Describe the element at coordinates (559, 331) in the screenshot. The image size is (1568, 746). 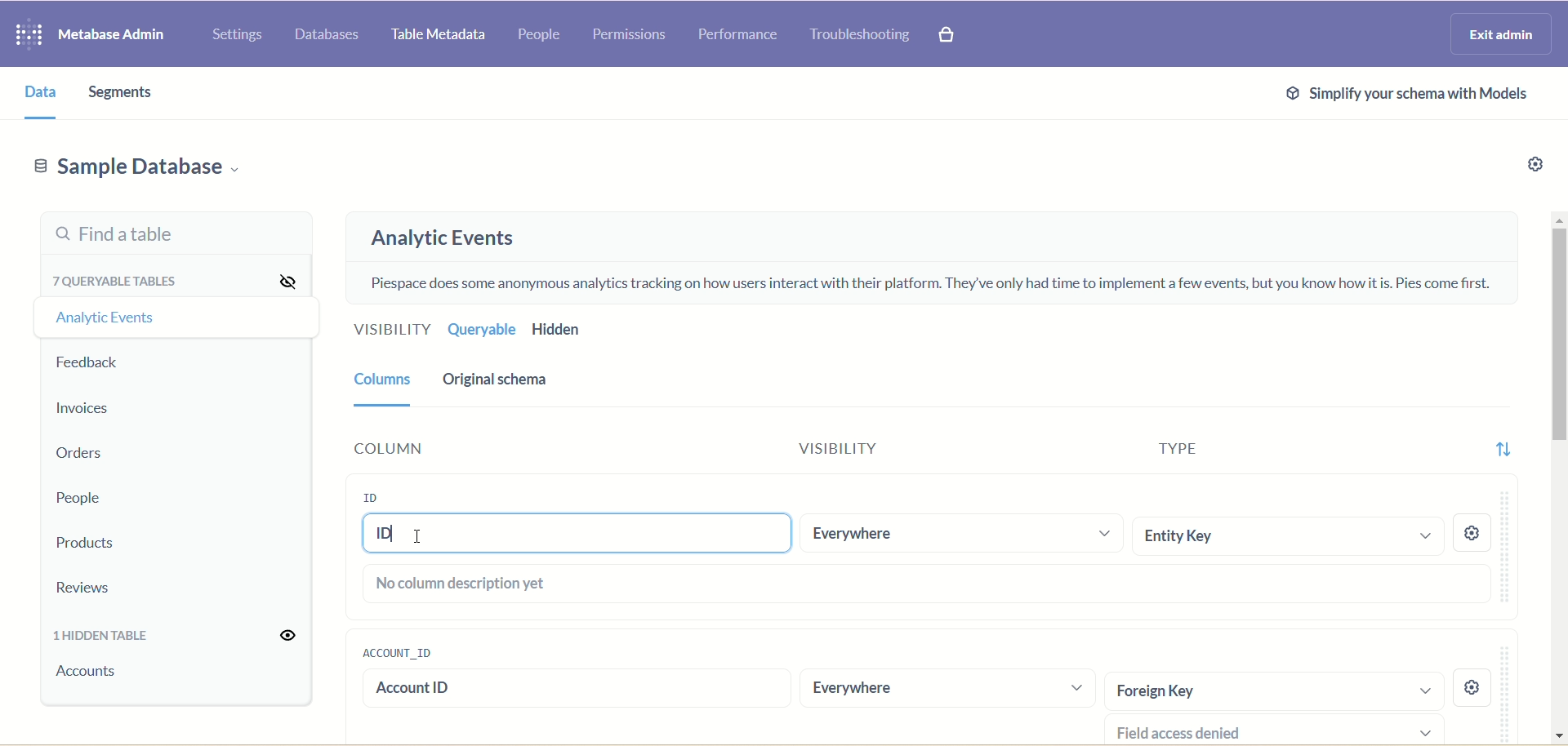
I see `Hidden` at that location.